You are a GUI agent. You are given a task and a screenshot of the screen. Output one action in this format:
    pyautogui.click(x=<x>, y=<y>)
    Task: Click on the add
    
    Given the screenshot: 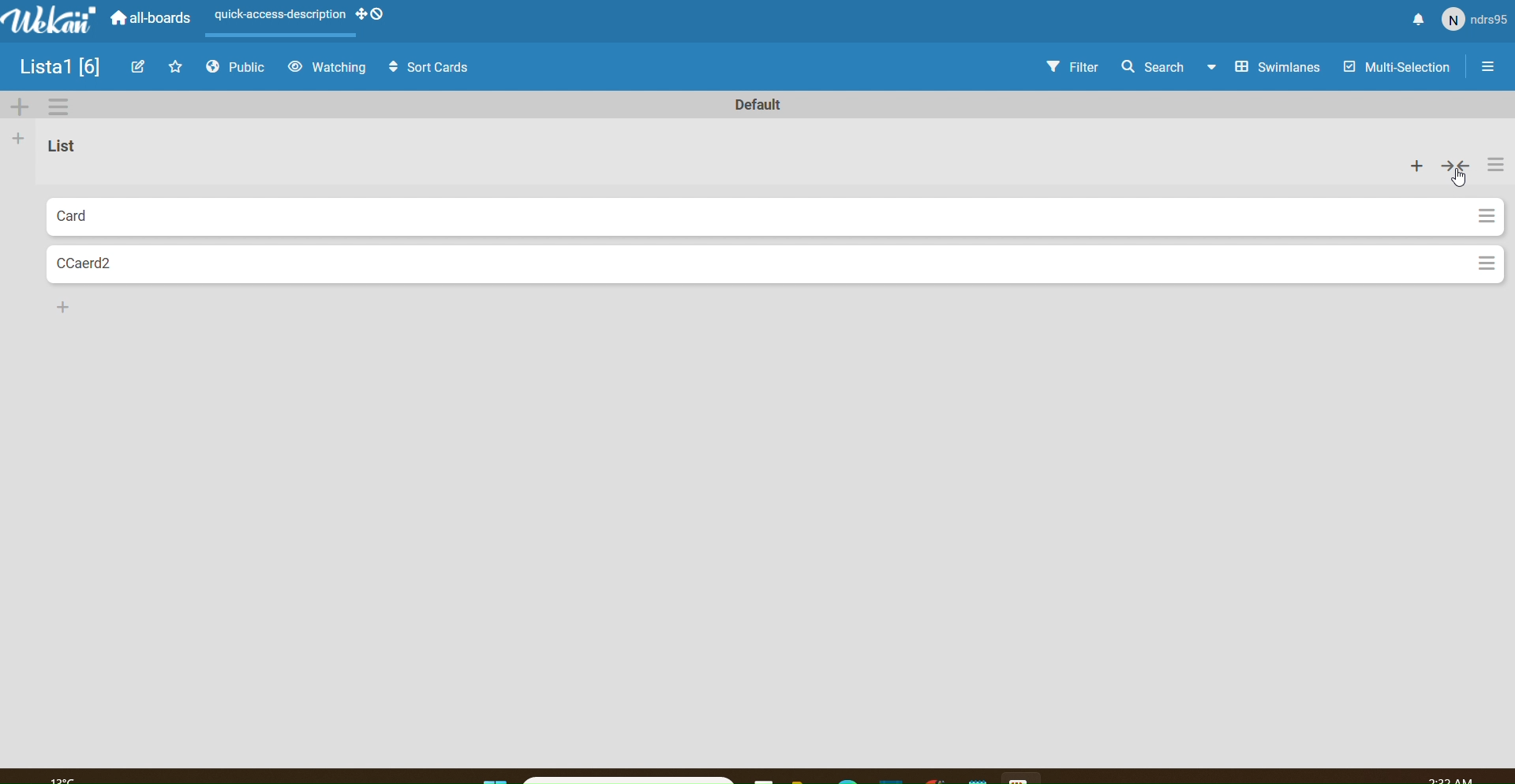 What is the action you would take?
    pyautogui.click(x=1416, y=171)
    